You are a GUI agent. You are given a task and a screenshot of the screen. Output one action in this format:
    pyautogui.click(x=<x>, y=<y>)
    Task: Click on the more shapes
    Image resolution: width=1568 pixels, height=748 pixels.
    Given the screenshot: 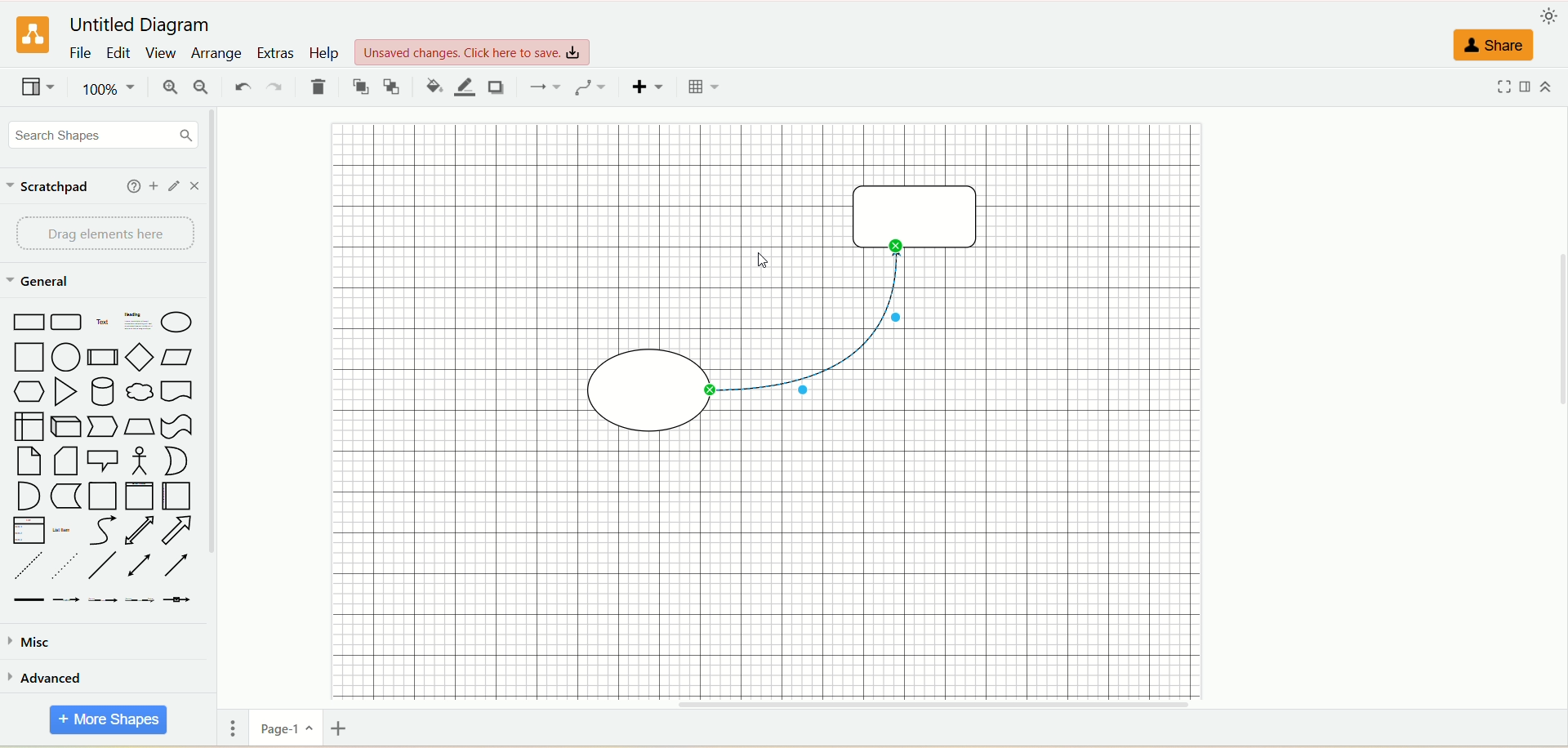 What is the action you would take?
    pyautogui.click(x=106, y=720)
    